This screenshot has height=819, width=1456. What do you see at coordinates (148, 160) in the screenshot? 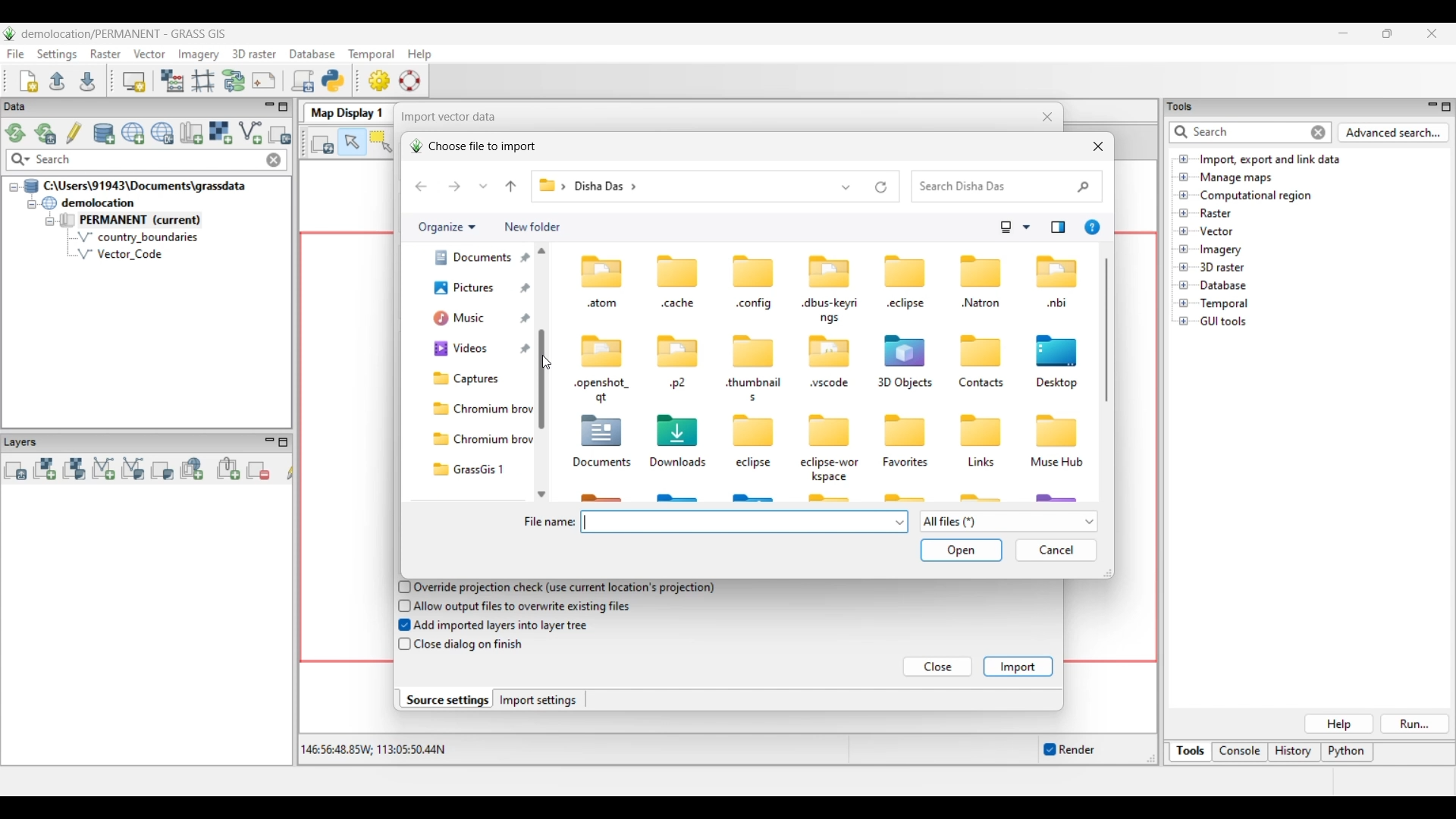
I see `Type in map for quick search` at bounding box center [148, 160].